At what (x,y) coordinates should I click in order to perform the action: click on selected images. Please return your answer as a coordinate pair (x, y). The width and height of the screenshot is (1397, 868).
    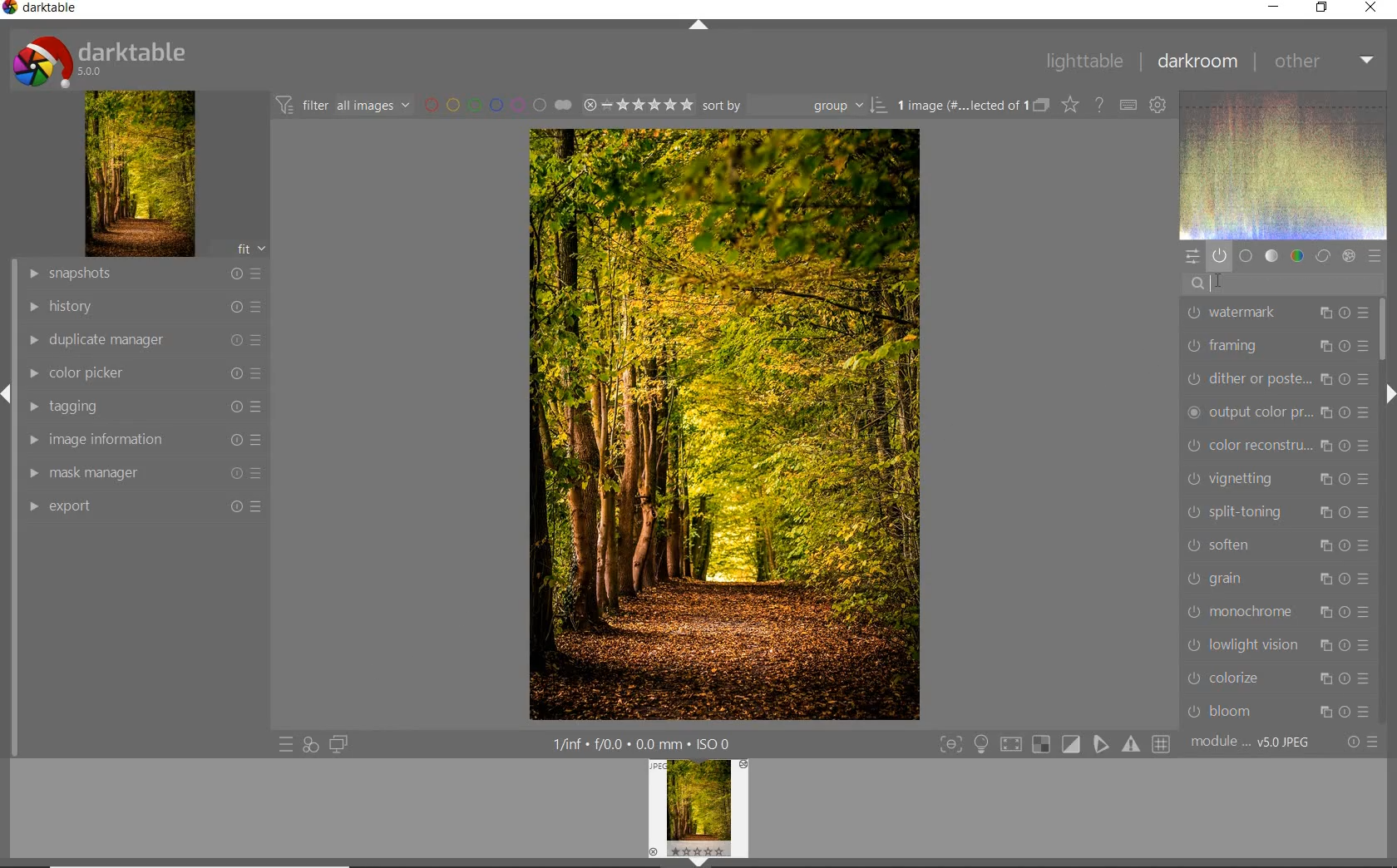
    Looking at the image, I should click on (959, 106).